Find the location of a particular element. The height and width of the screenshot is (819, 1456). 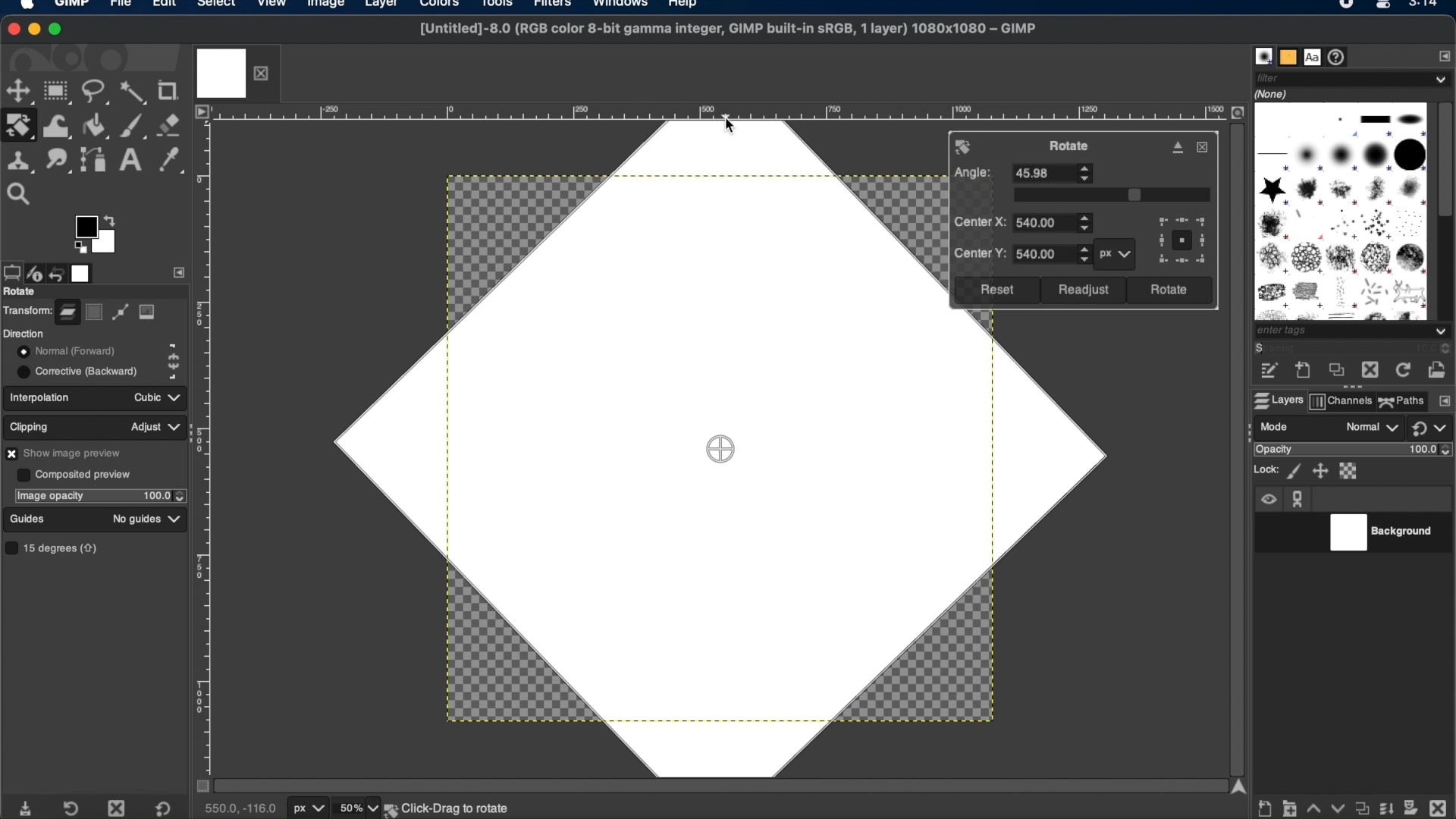

eraser tool is located at coordinates (171, 125).